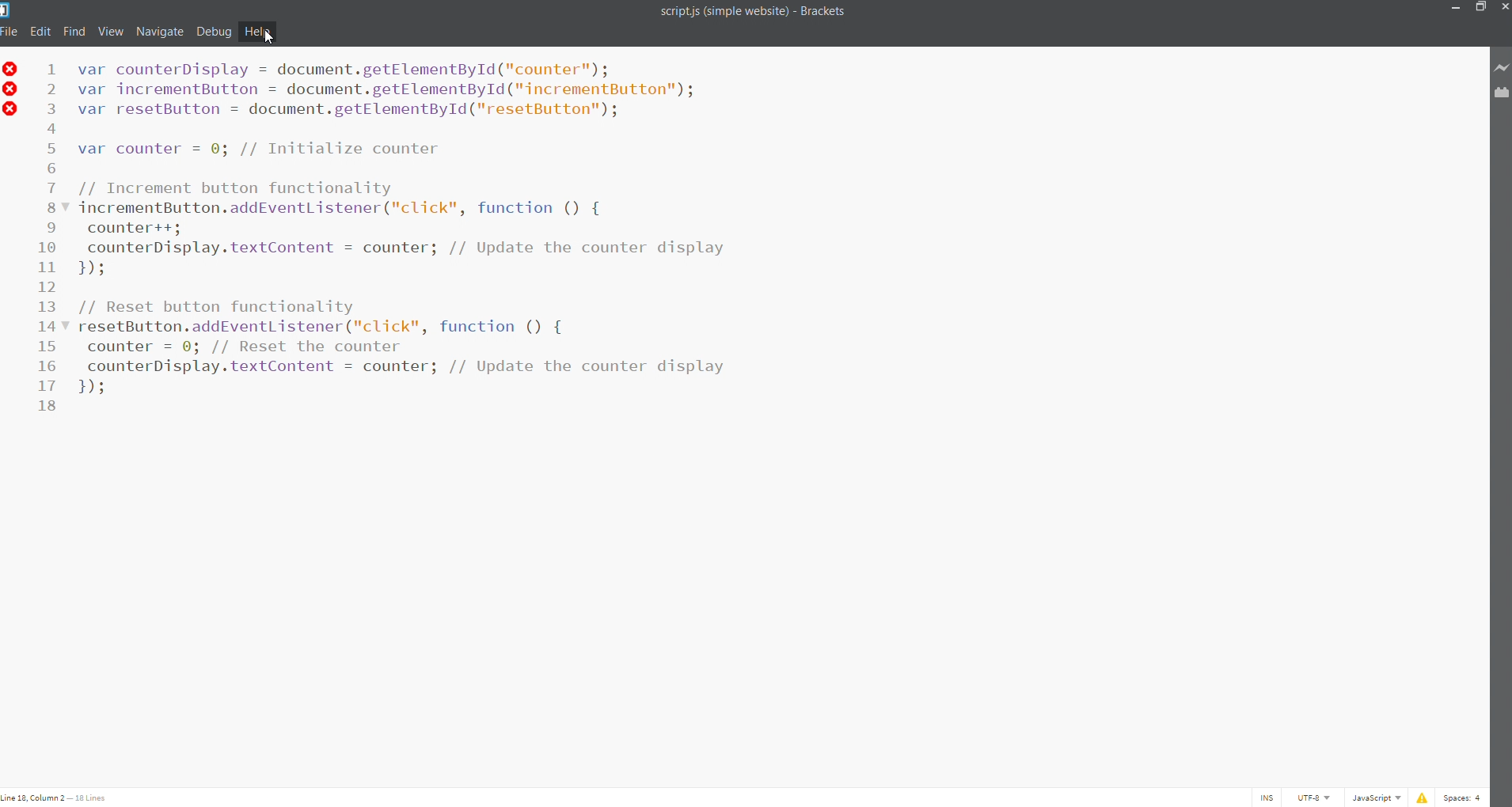  I want to click on error status, so click(10, 94).